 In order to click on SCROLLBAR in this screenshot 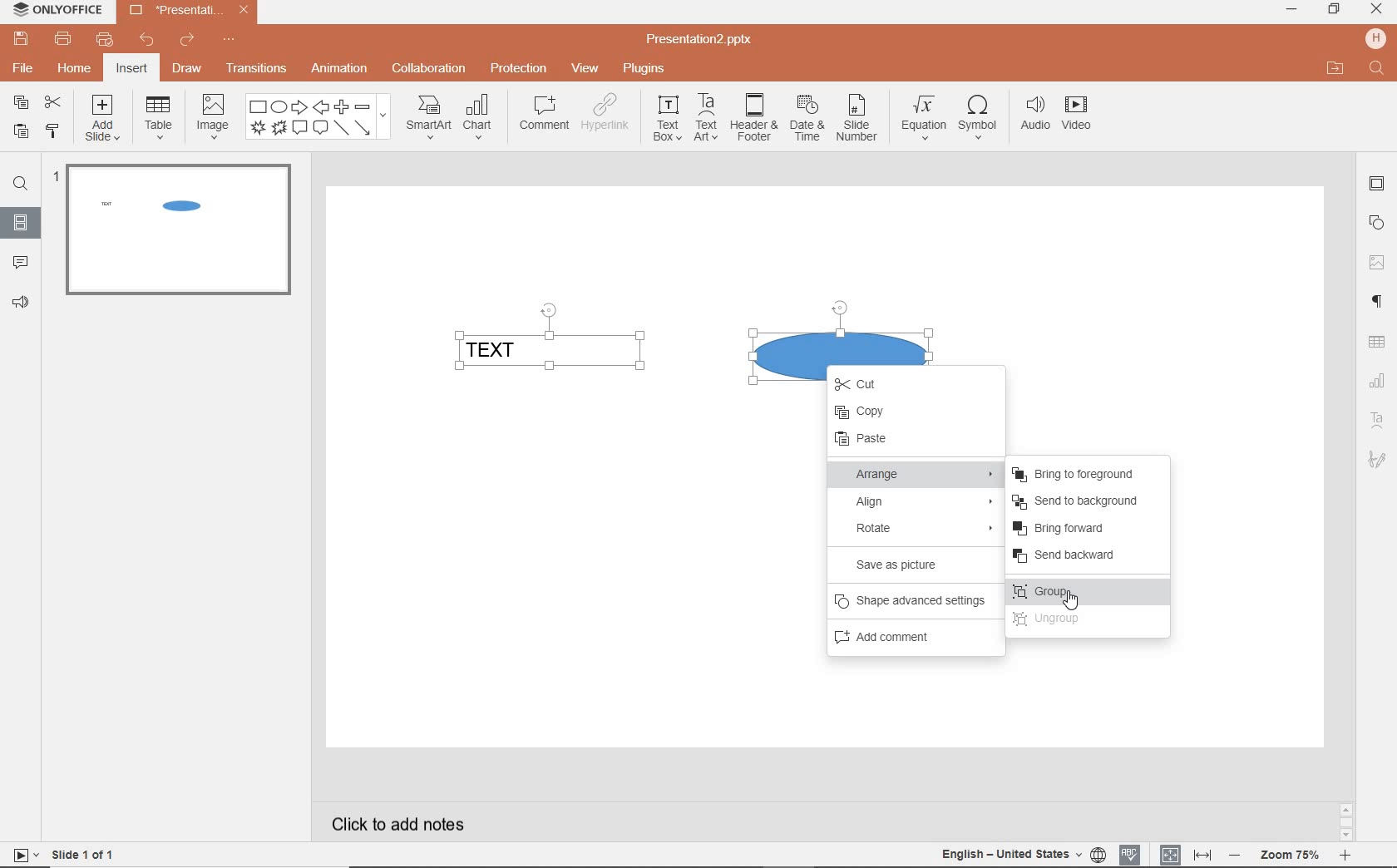, I will do `click(1346, 821)`.